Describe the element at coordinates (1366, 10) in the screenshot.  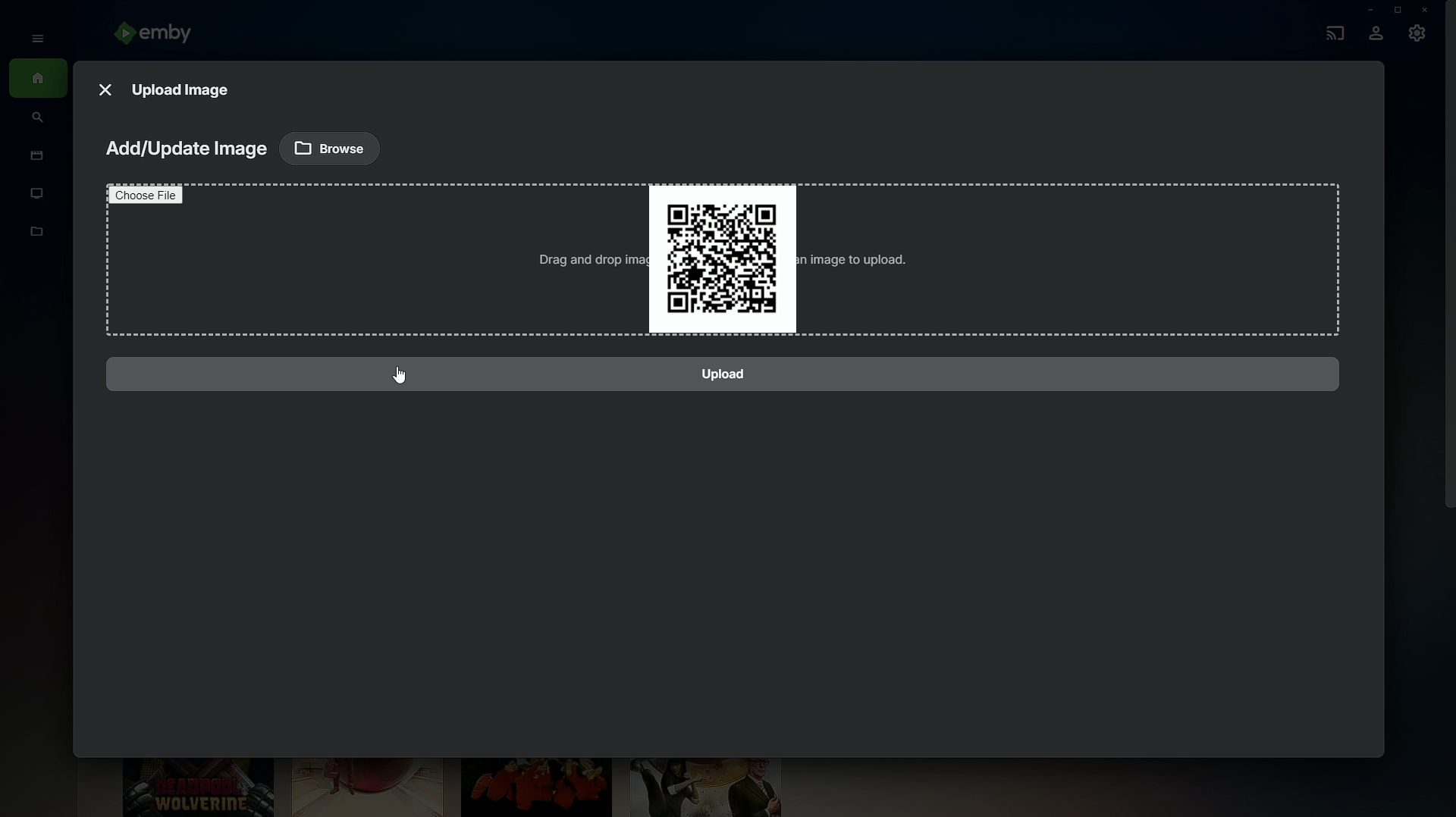
I see `Minimize` at that location.